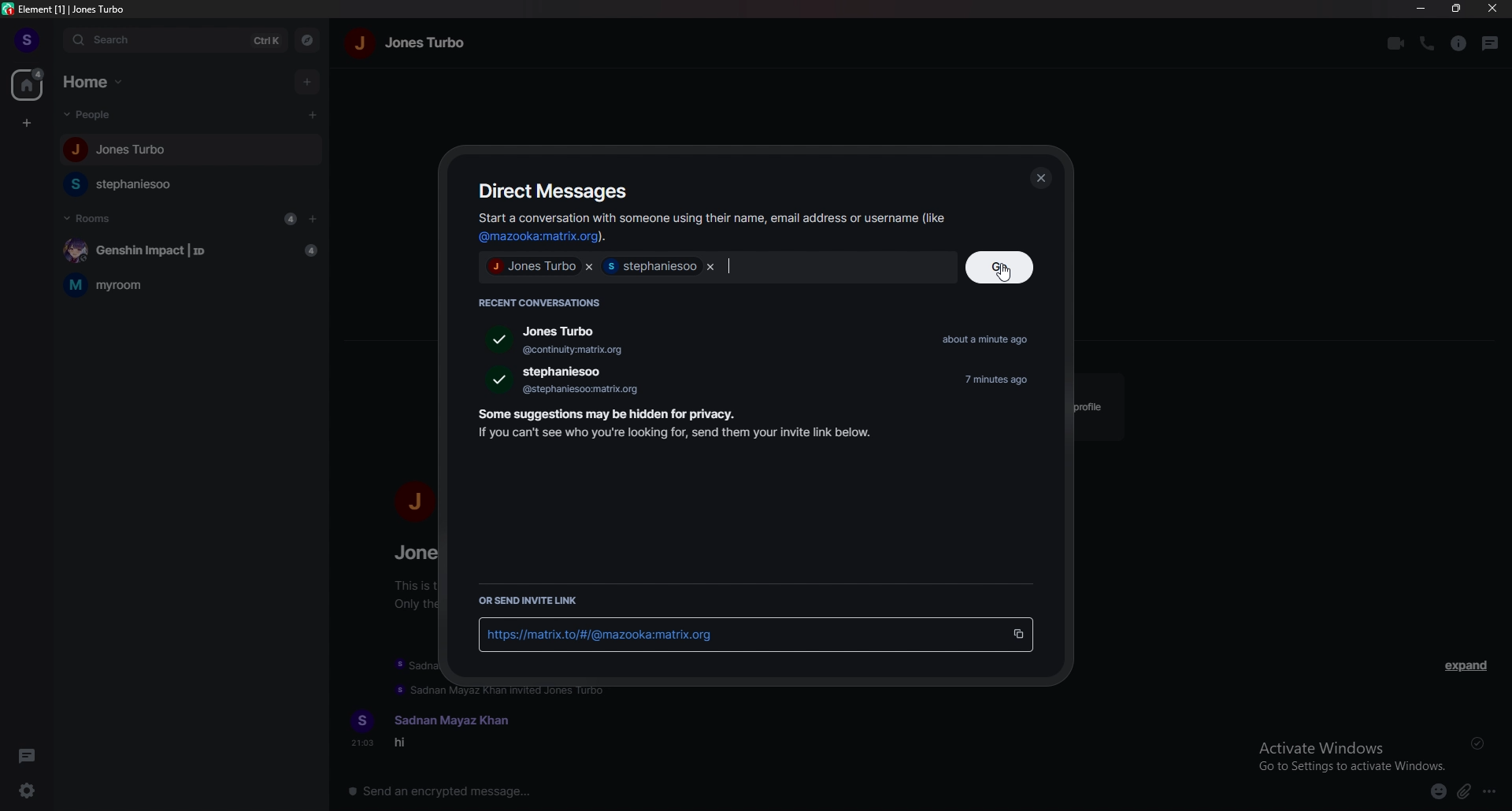 Image resolution: width=1512 pixels, height=811 pixels. What do you see at coordinates (544, 340) in the screenshot?
I see `Jones Turbo @continuity:matrix.org` at bounding box center [544, 340].